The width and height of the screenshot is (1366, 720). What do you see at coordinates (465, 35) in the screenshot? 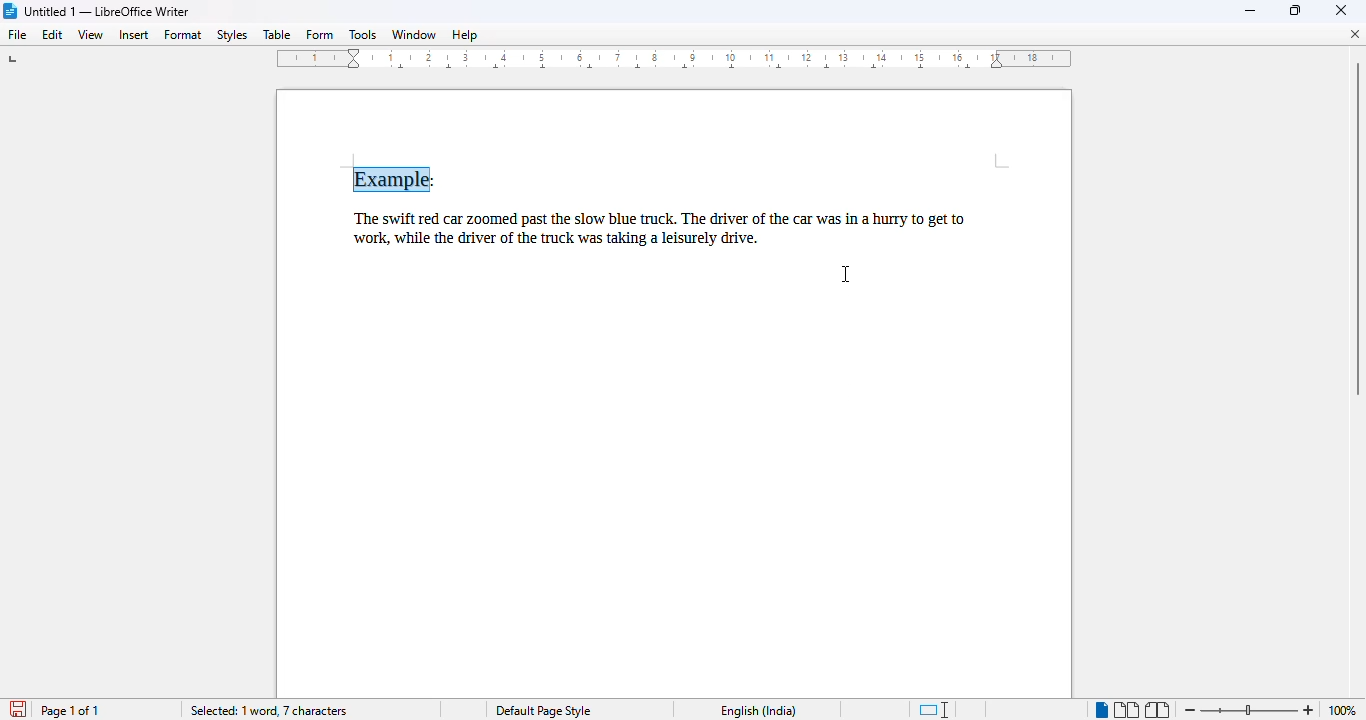
I see `help` at bounding box center [465, 35].